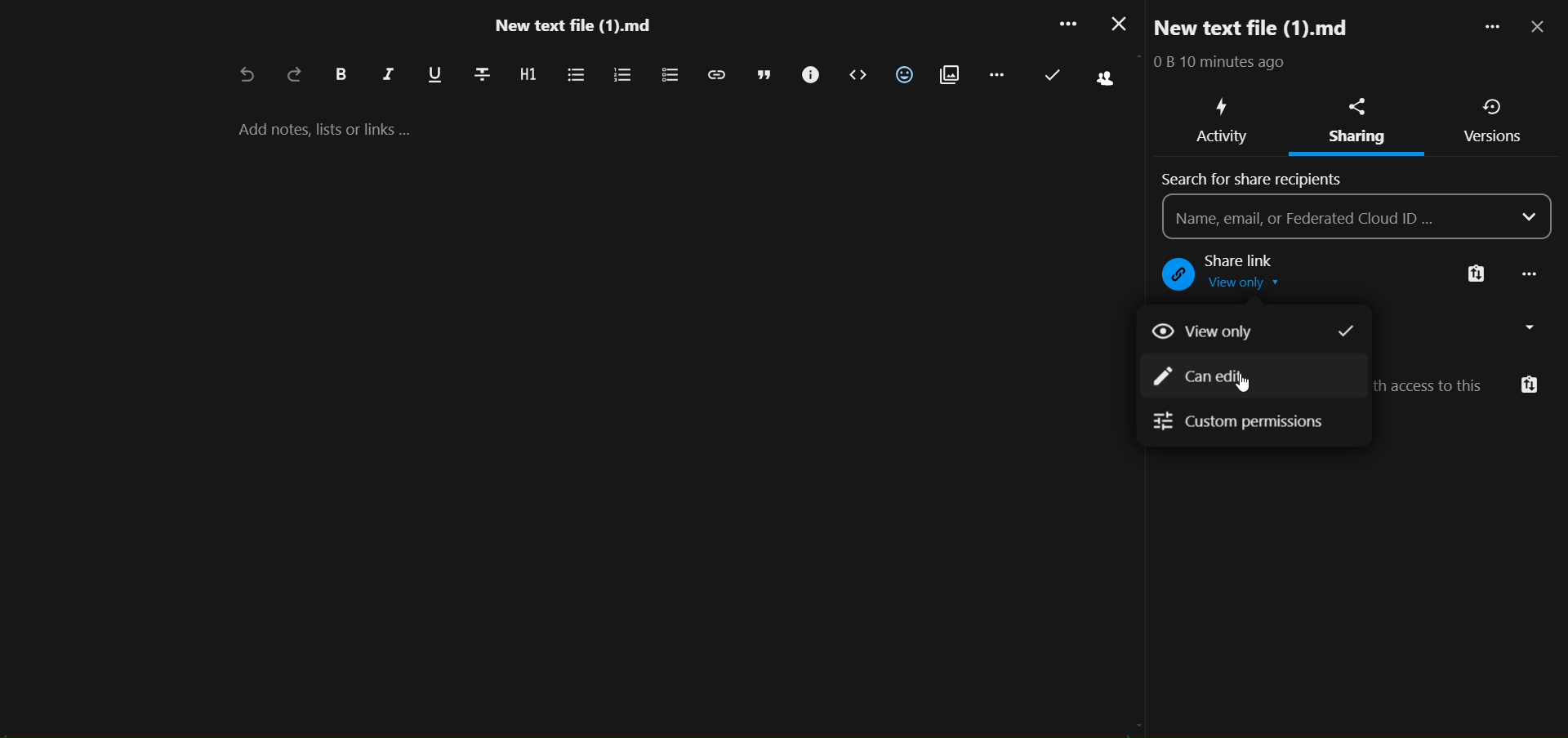 The image size is (1568, 738). I want to click on more, so click(1532, 276).